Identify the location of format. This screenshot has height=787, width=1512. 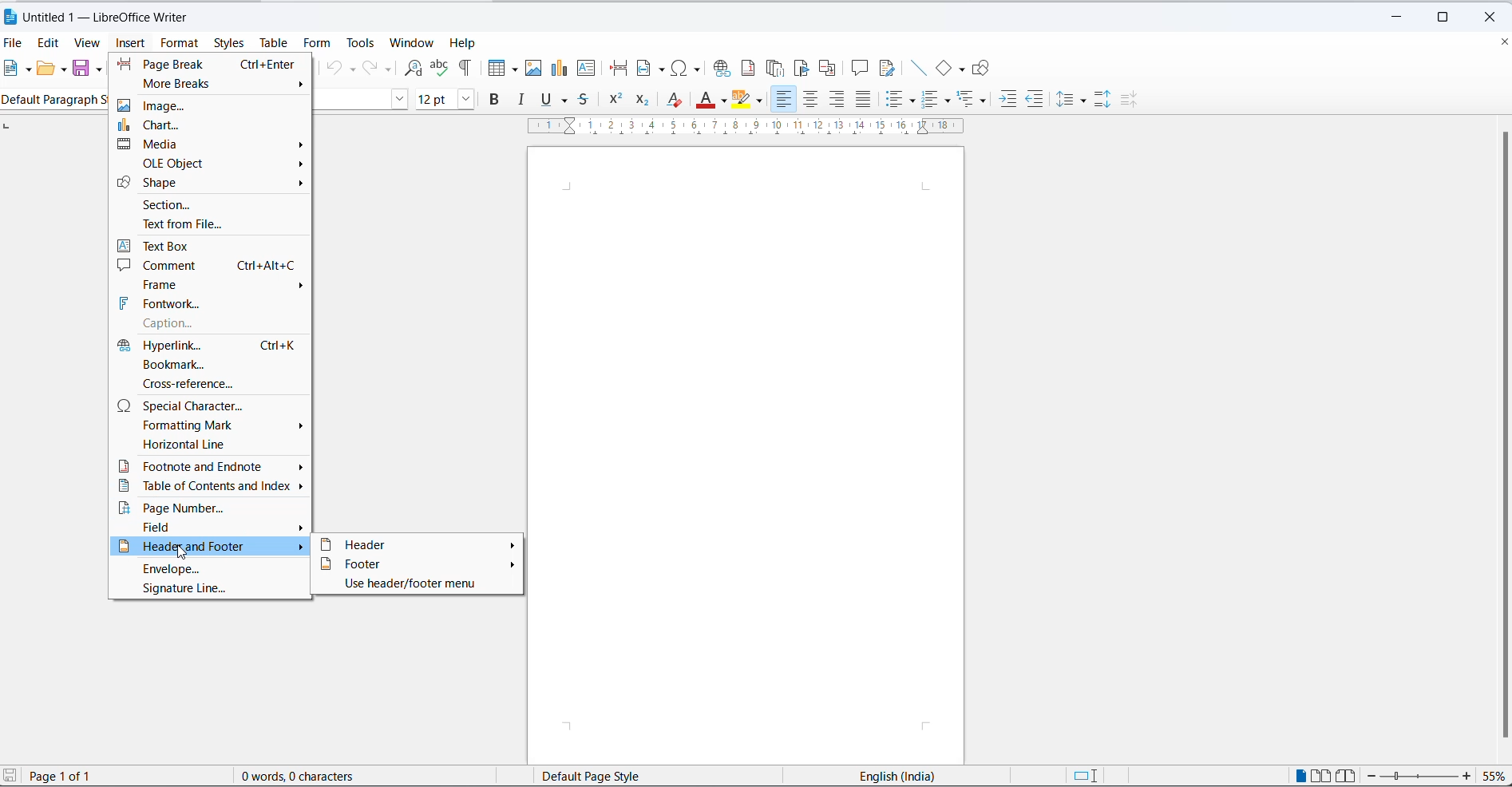
(177, 43).